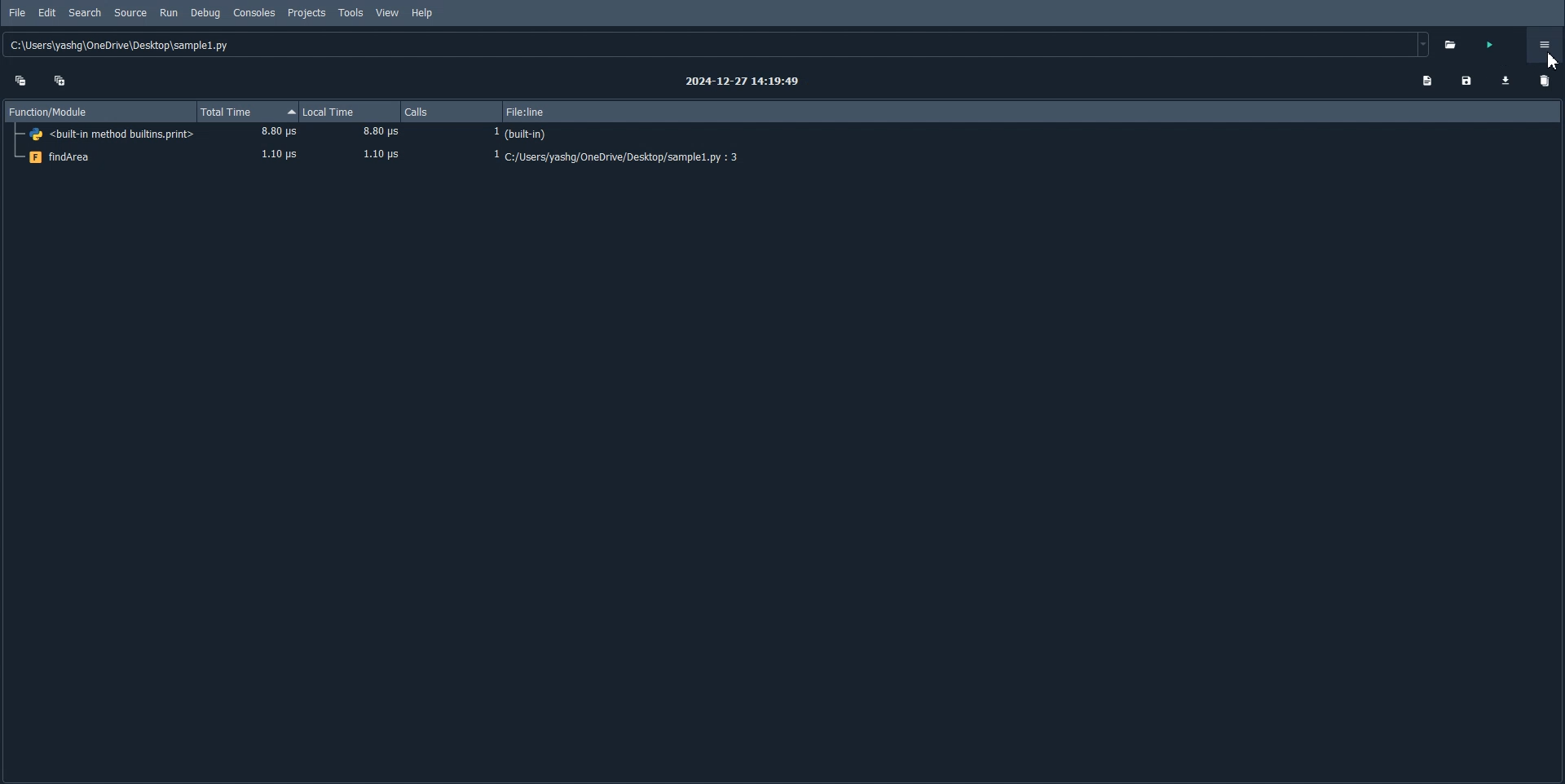 This screenshot has width=1565, height=784. I want to click on Projects, so click(306, 13).